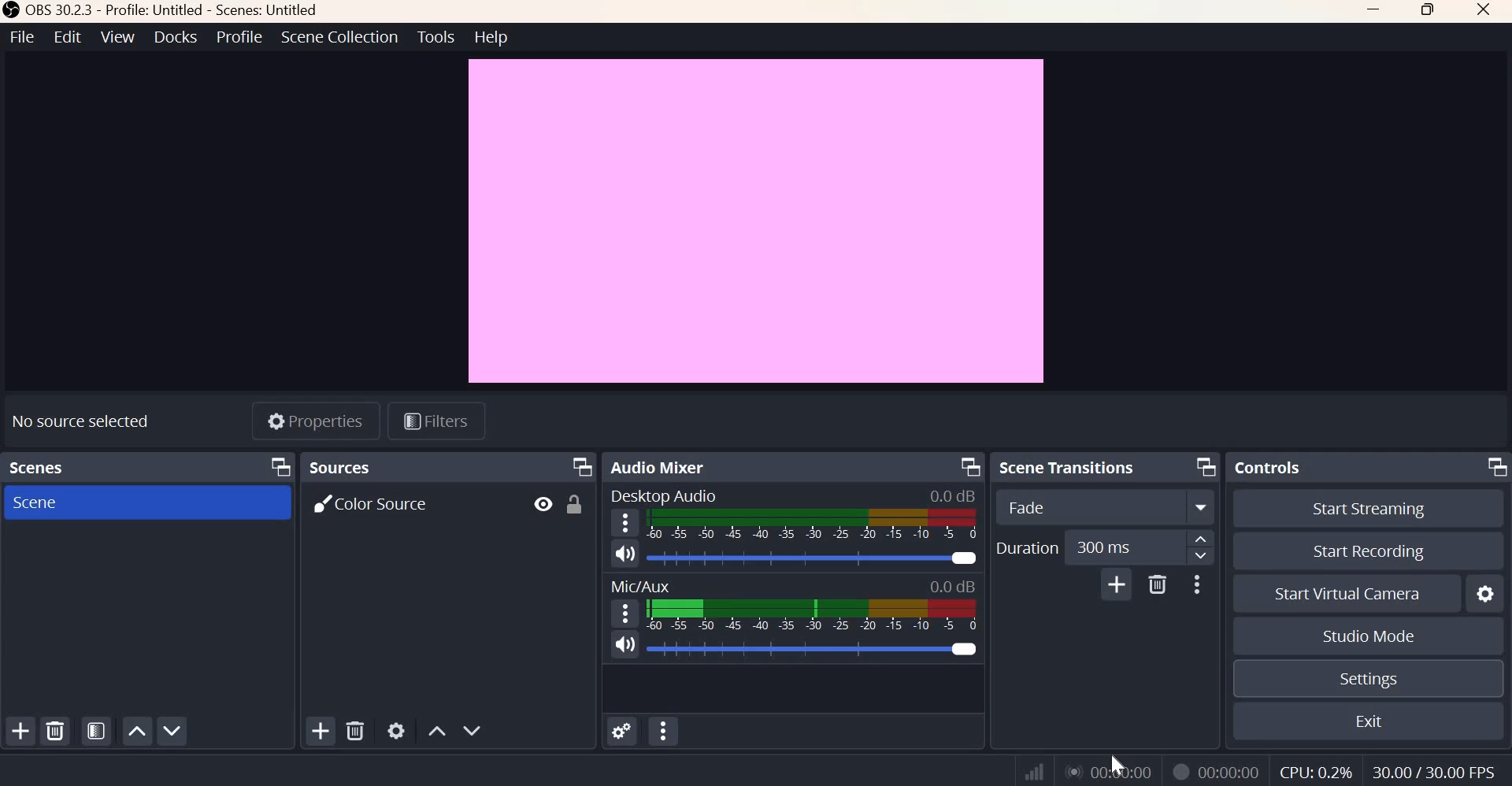 The image size is (1512, 786). I want to click on Remove selected source(s), so click(357, 731).